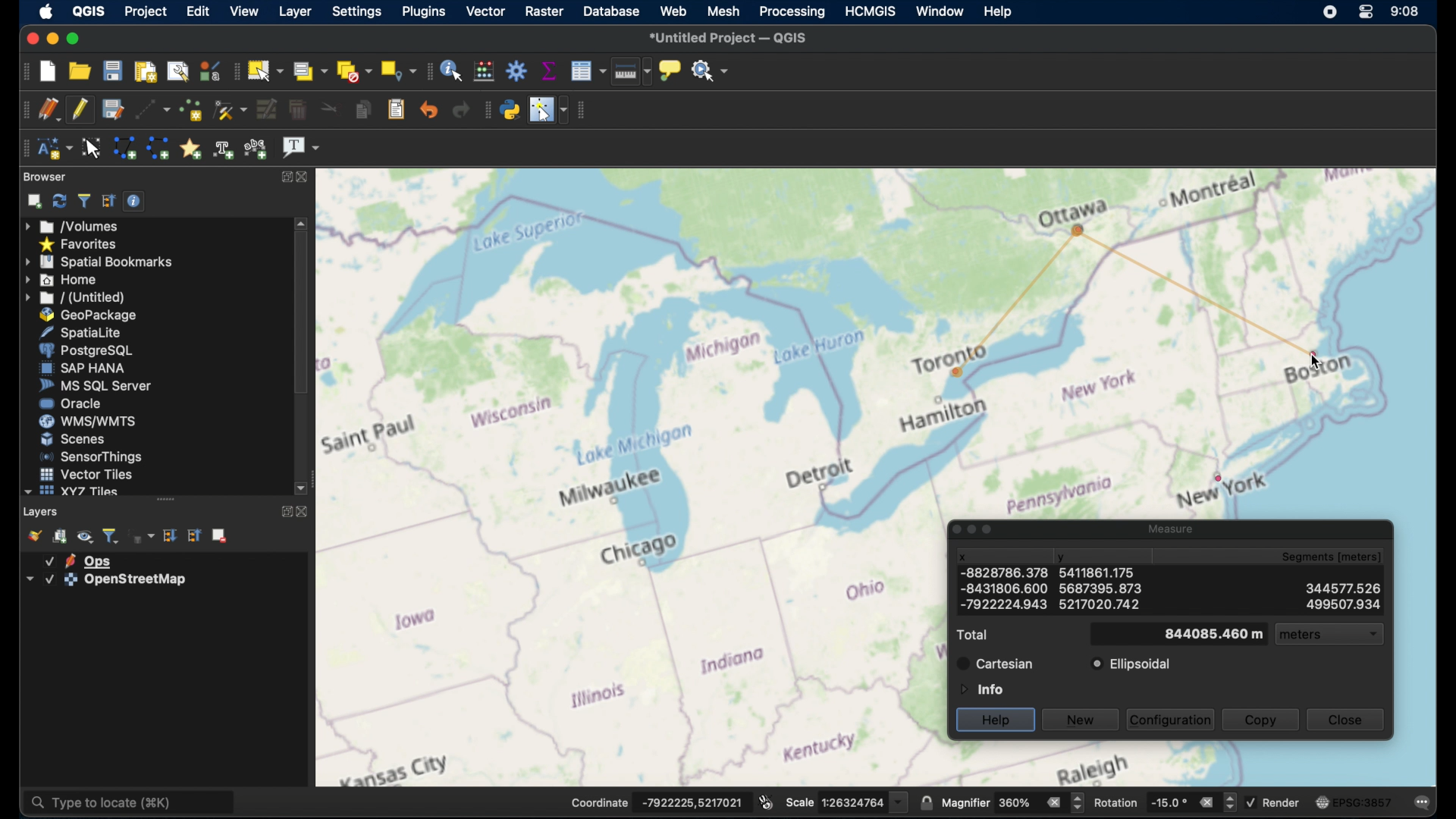  What do you see at coordinates (1167, 595) in the screenshot?
I see `distance` at bounding box center [1167, 595].